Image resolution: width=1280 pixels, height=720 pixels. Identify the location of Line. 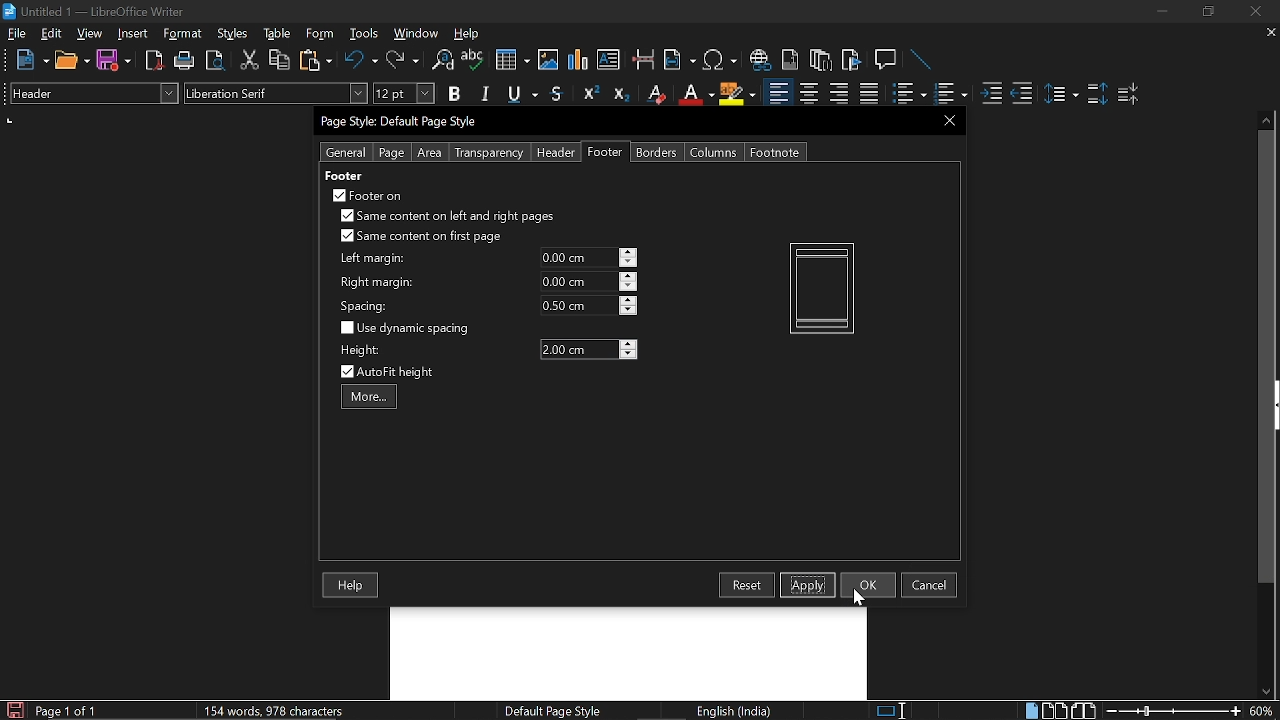
(922, 61).